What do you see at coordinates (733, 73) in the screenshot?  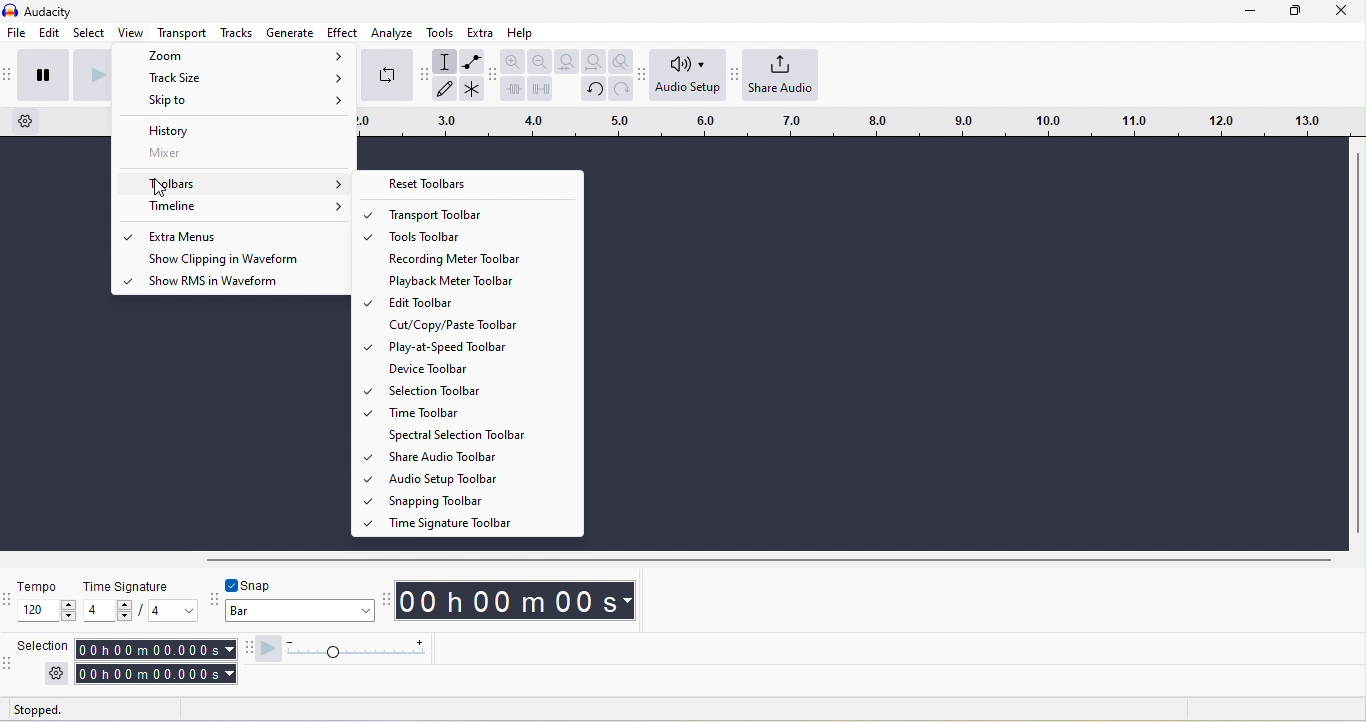 I see `share audio toolbar` at bounding box center [733, 73].